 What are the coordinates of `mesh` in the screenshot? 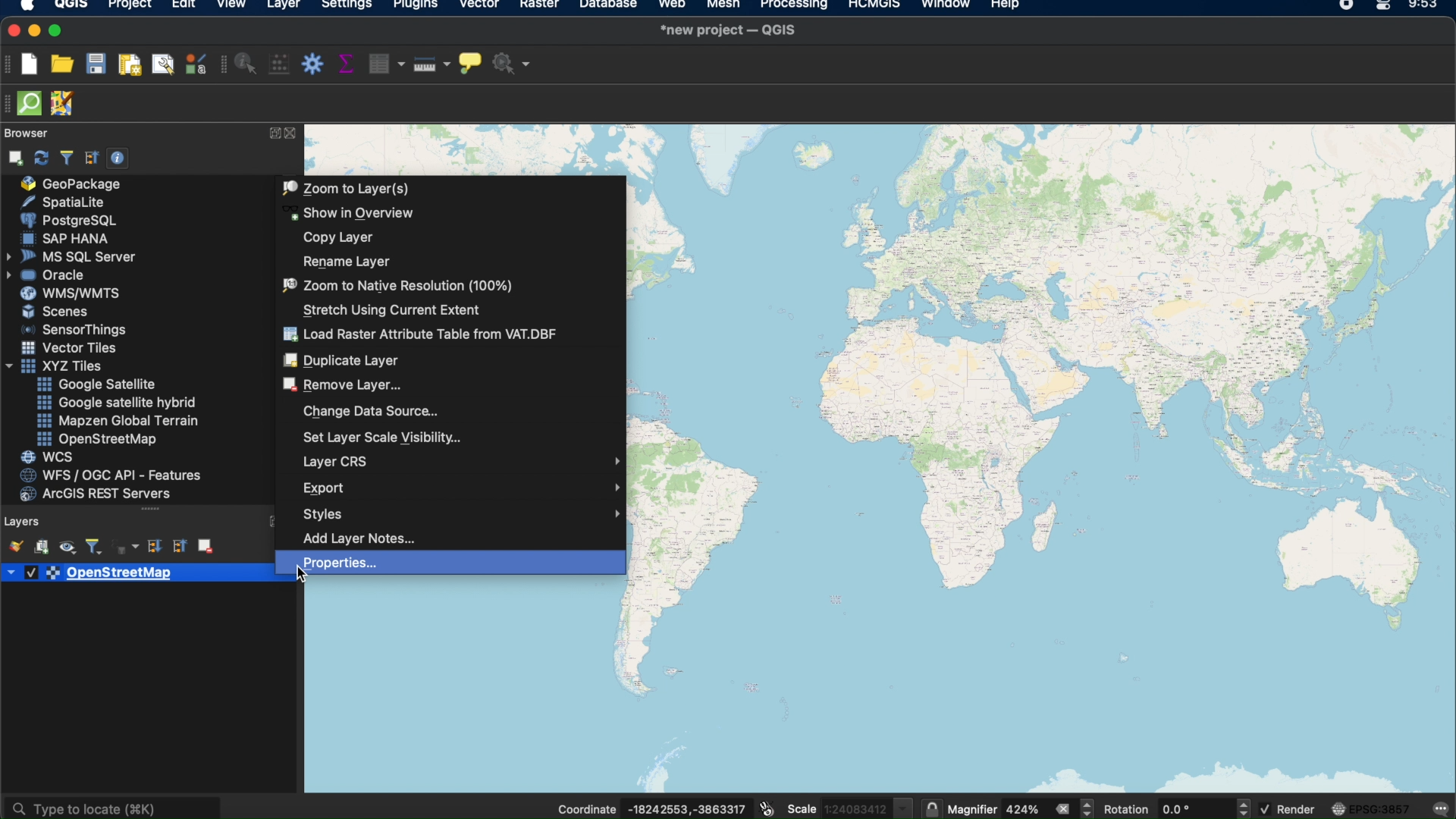 It's located at (722, 6).